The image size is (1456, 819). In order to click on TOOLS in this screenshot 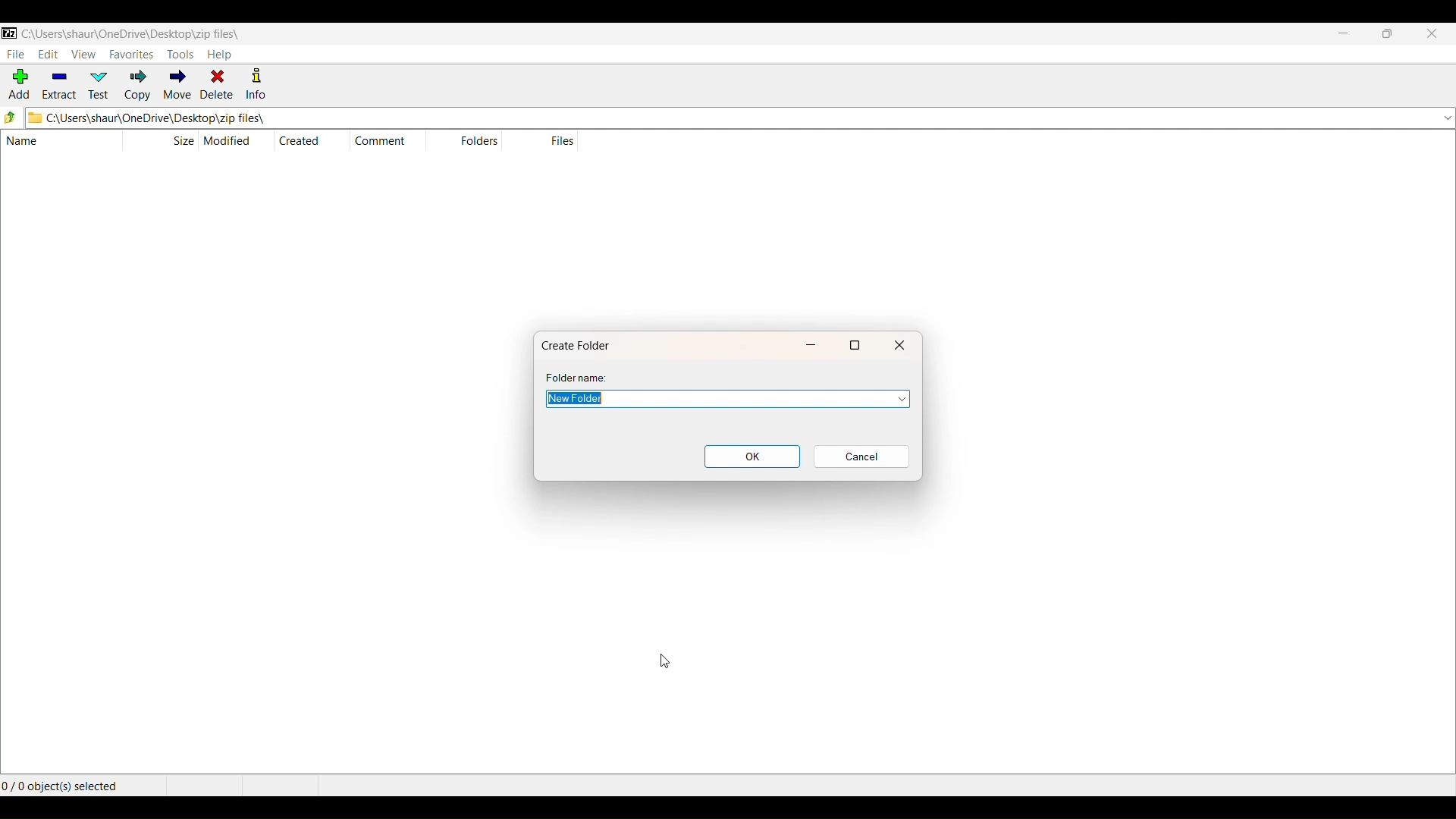, I will do `click(180, 55)`.